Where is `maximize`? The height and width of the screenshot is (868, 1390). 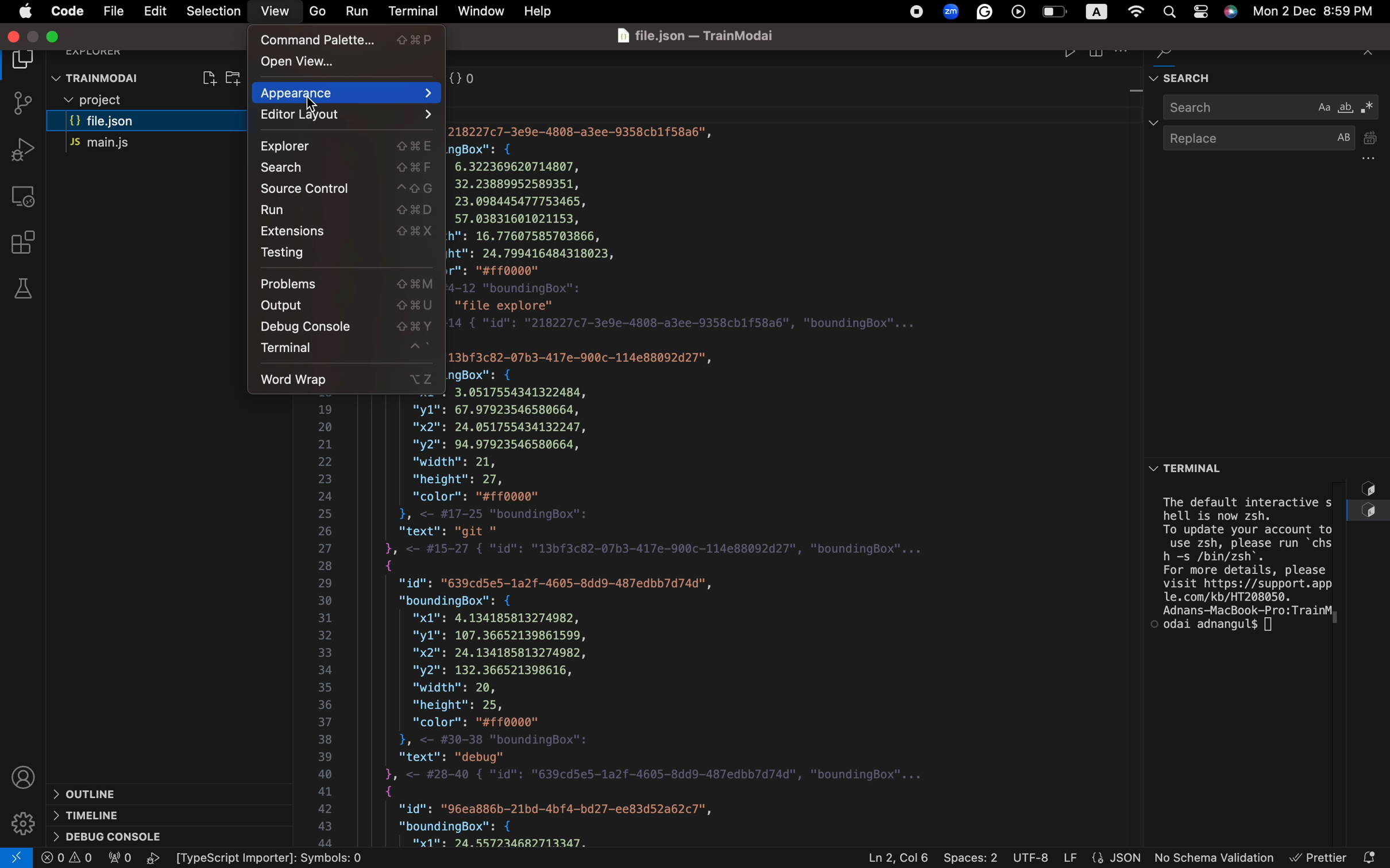 maximize is located at coordinates (36, 36).